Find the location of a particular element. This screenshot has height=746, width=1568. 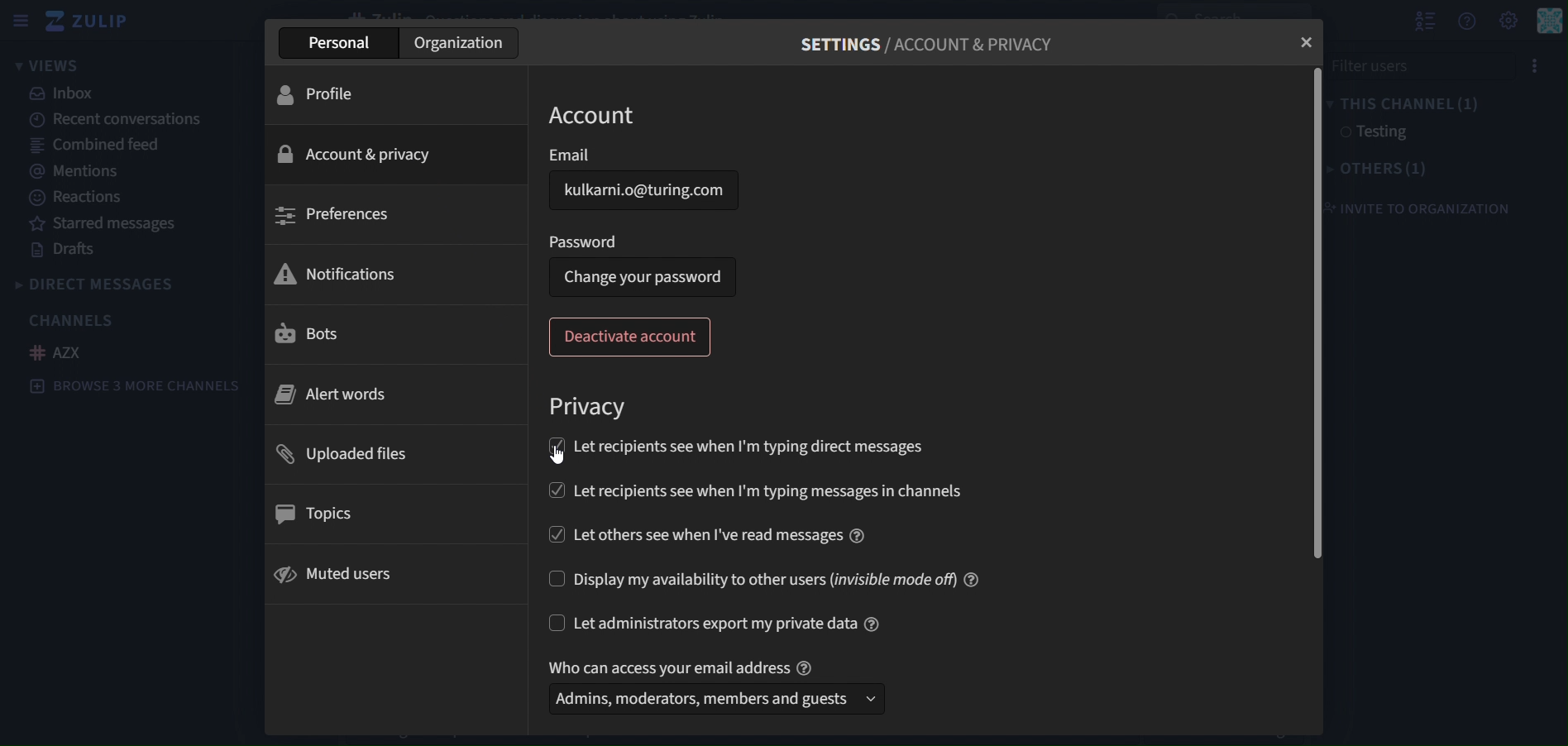

mentions is located at coordinates (78, 171).